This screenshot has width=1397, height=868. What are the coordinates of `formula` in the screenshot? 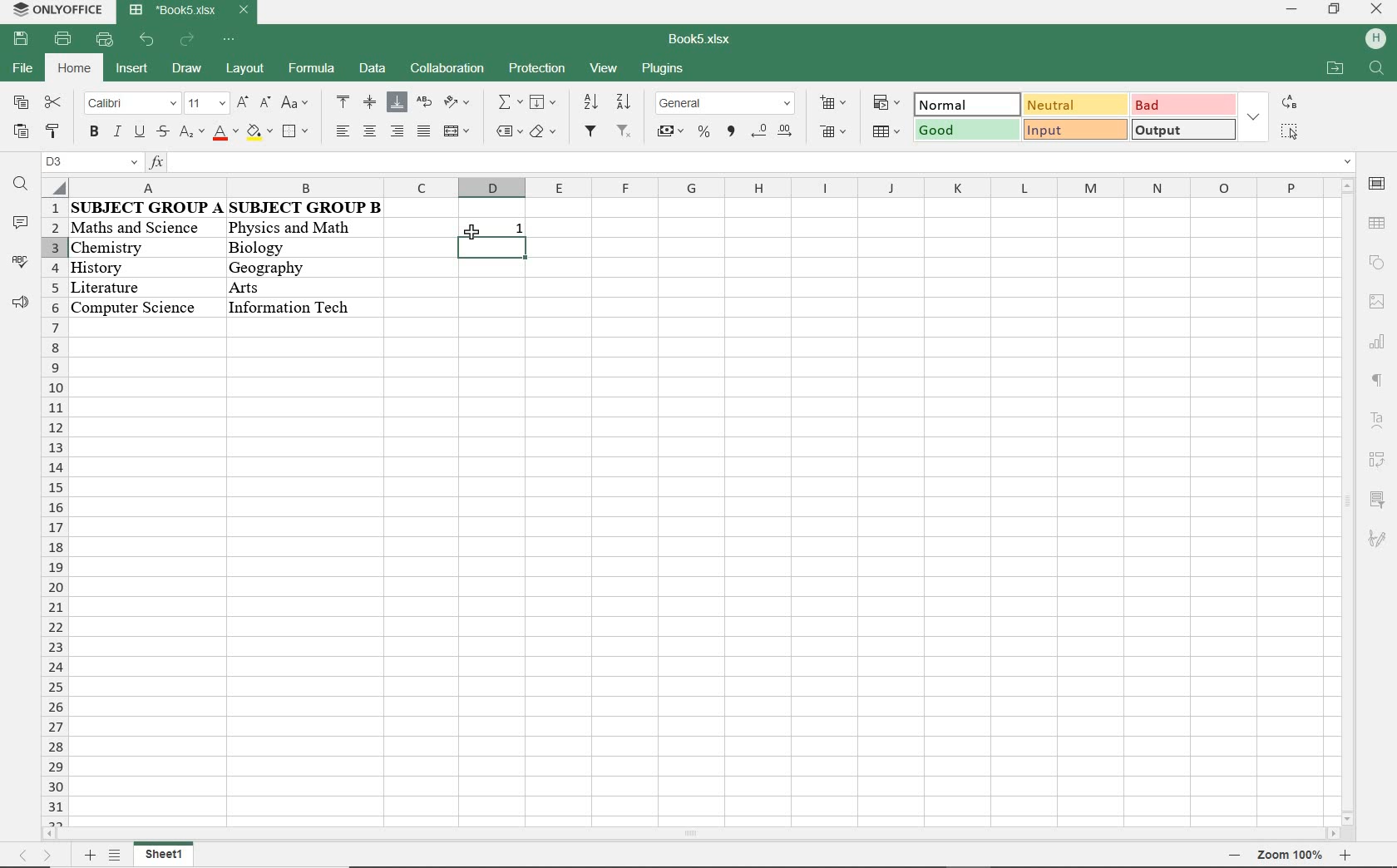 It's located at (309, 67).